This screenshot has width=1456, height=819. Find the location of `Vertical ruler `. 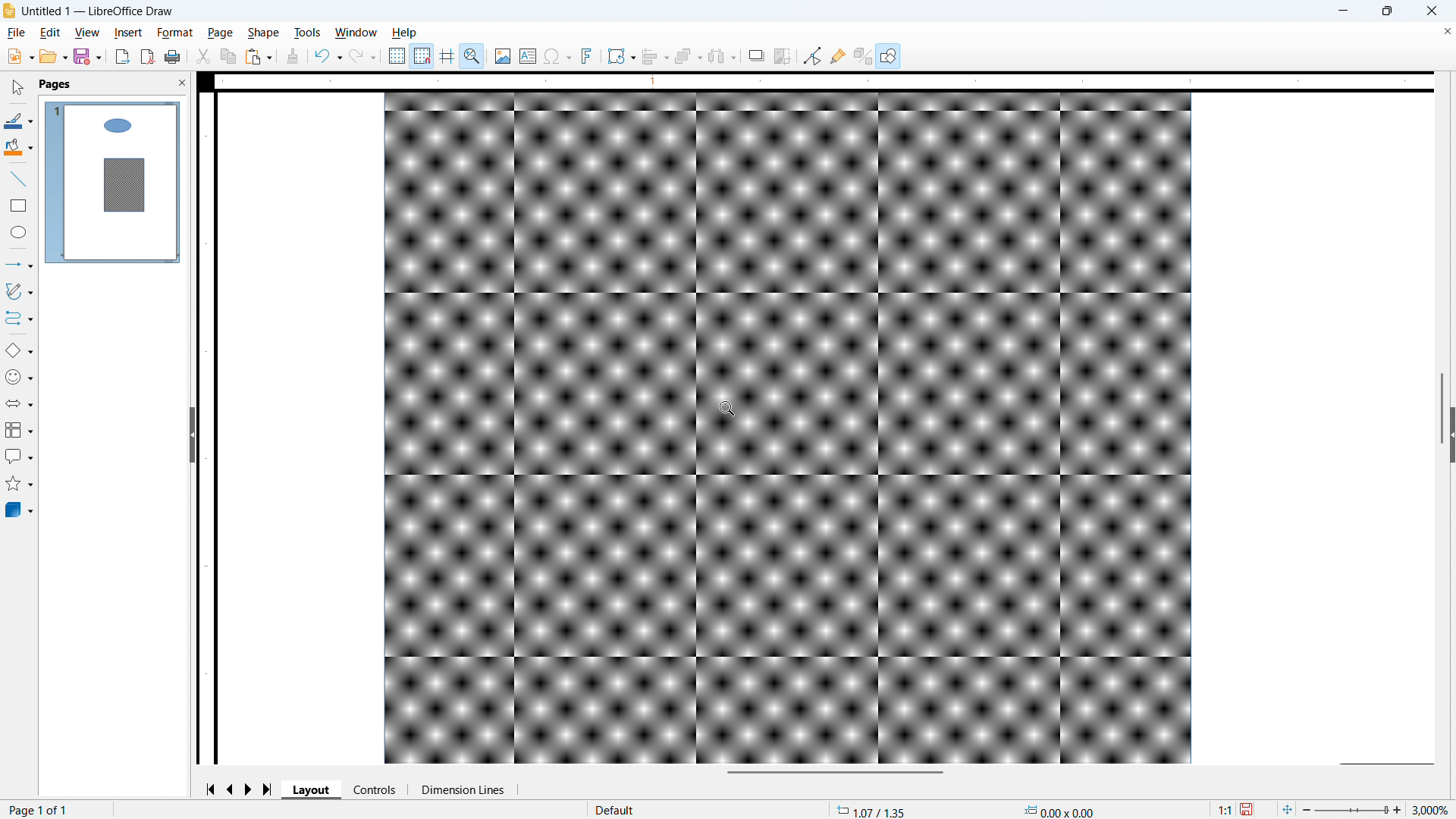

Vertical ruler  is located at coordinates (206, 427).